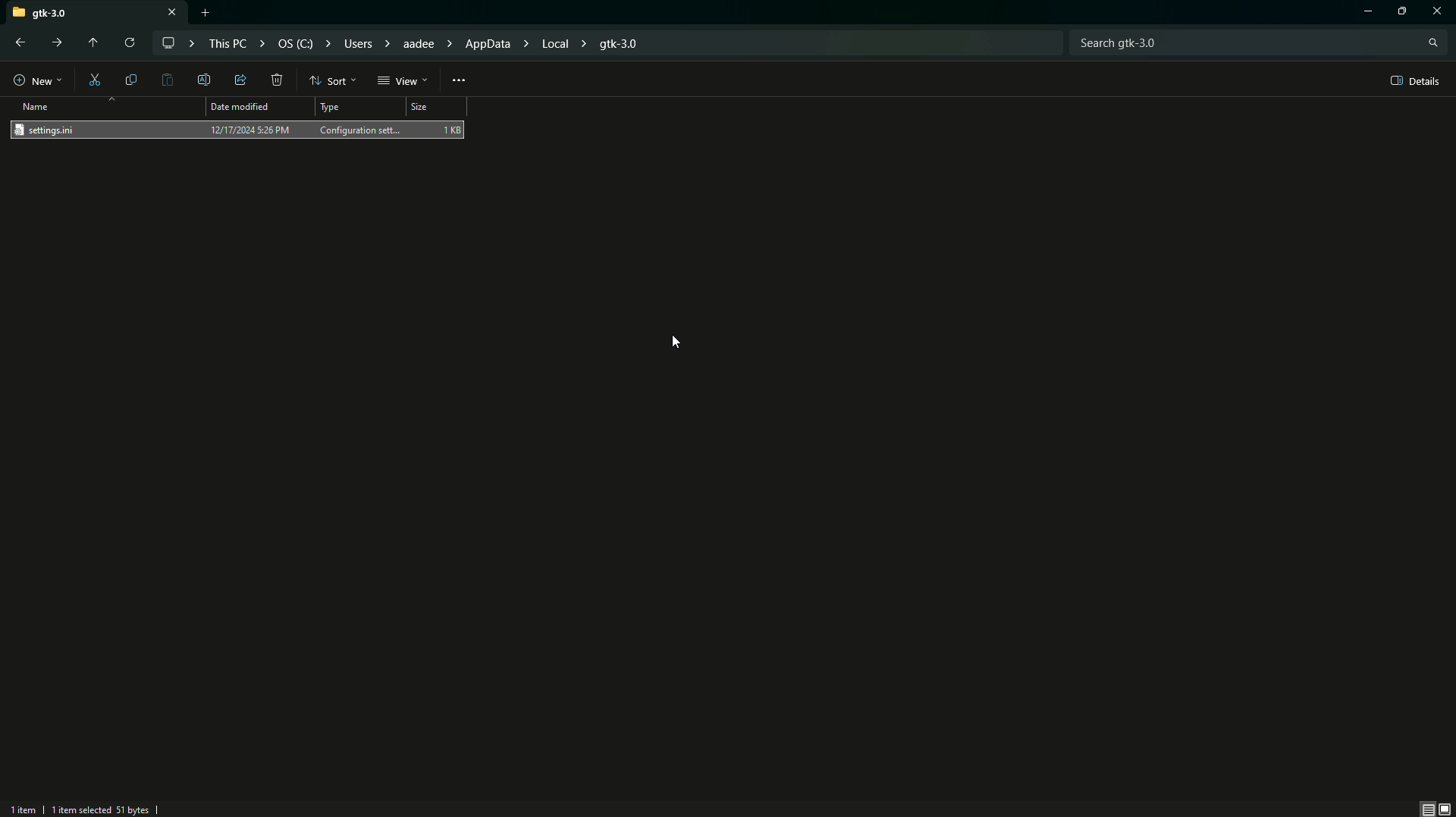  I want to click on Forward, so click(59, 44).